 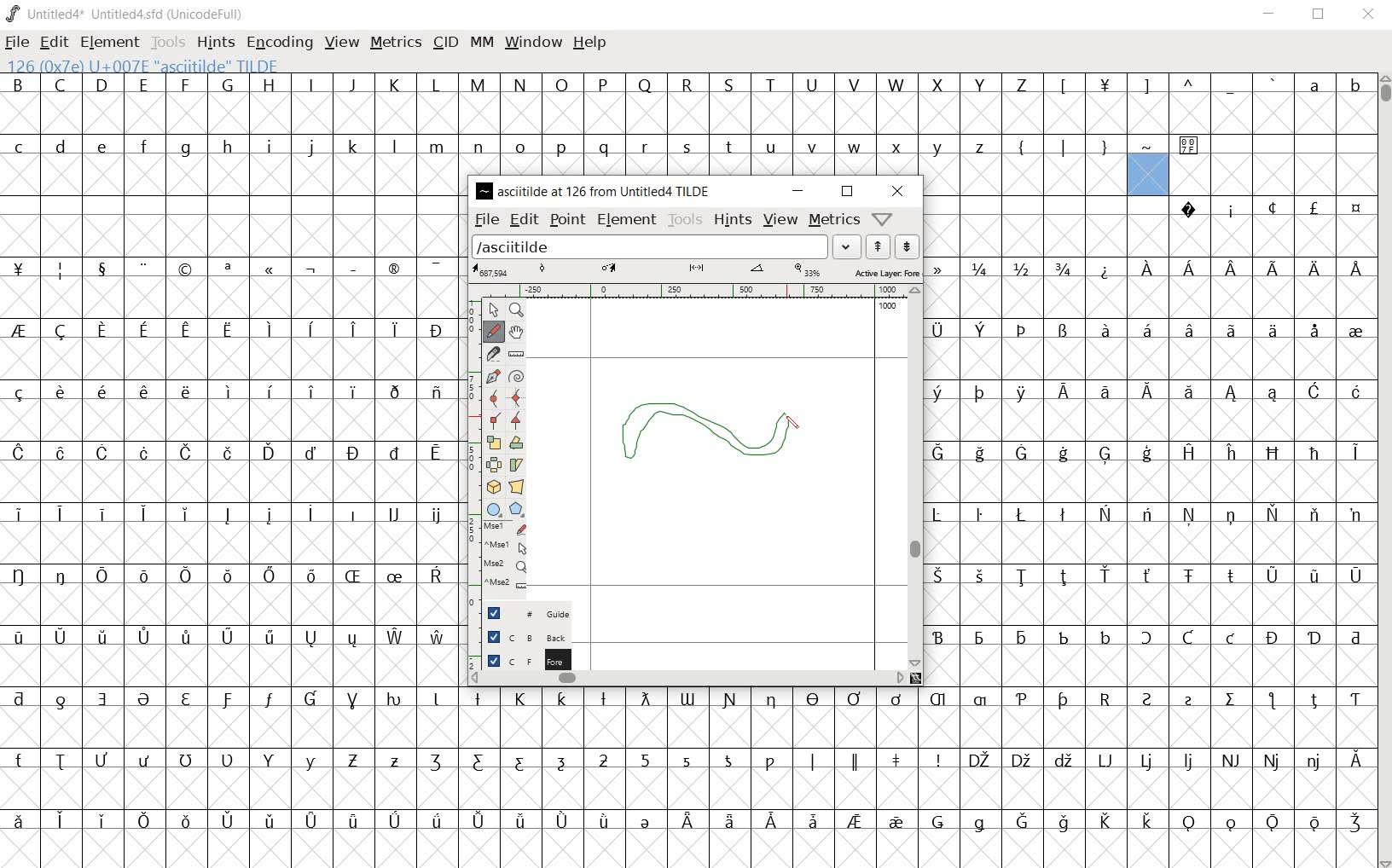 What do you see at coordinates (595, 189) in the screenshot?
I see `ASCIITILDE AT 126 FROM UNTITLED4 TILDE` at bounding box center [595, 189].